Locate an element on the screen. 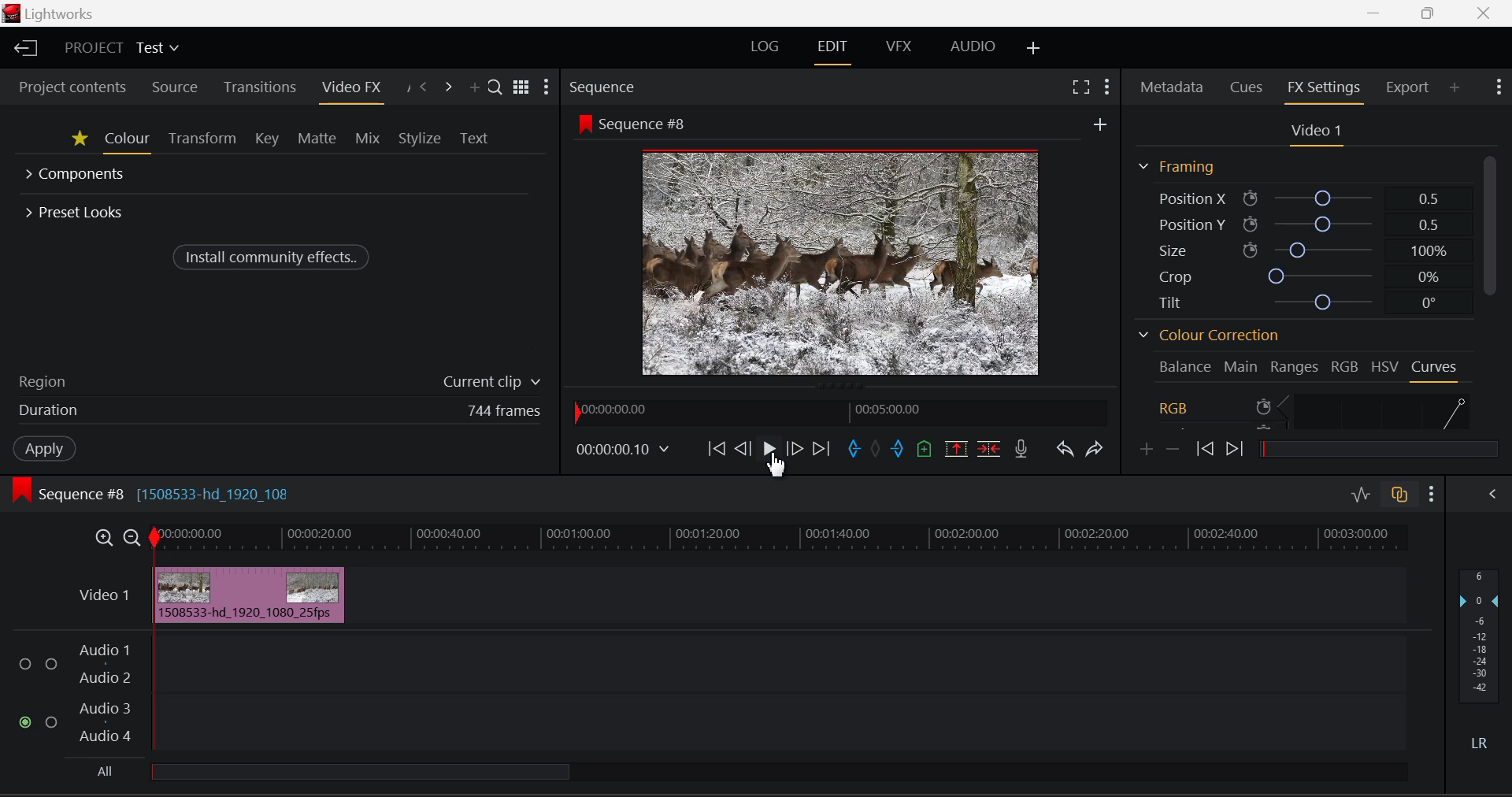  Project contents is located at coordinates (72, 87).